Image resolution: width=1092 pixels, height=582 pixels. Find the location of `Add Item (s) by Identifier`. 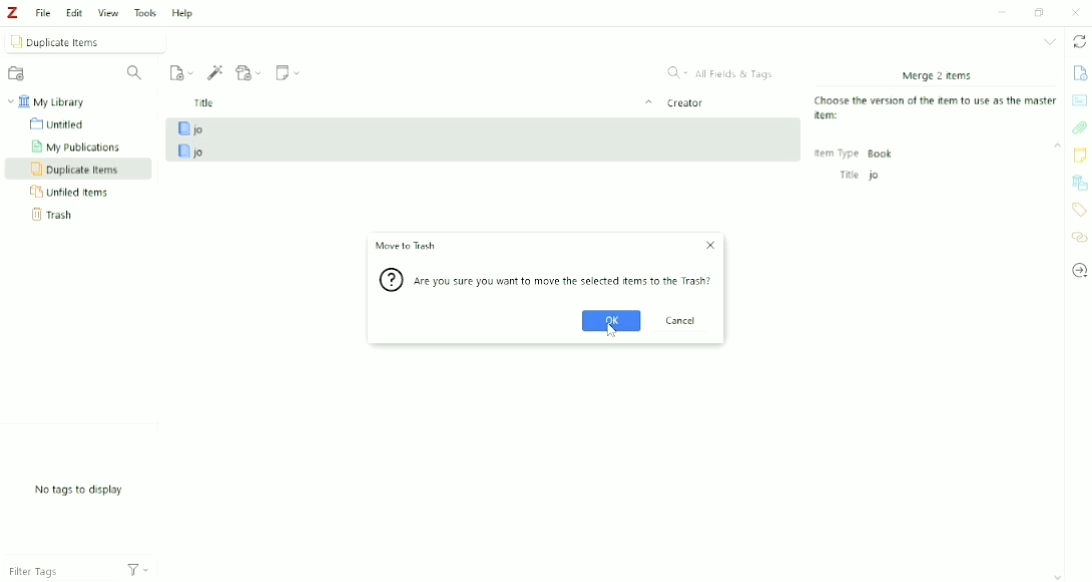

Add Item (s) by Identifier is located at coordinates (216, 73).